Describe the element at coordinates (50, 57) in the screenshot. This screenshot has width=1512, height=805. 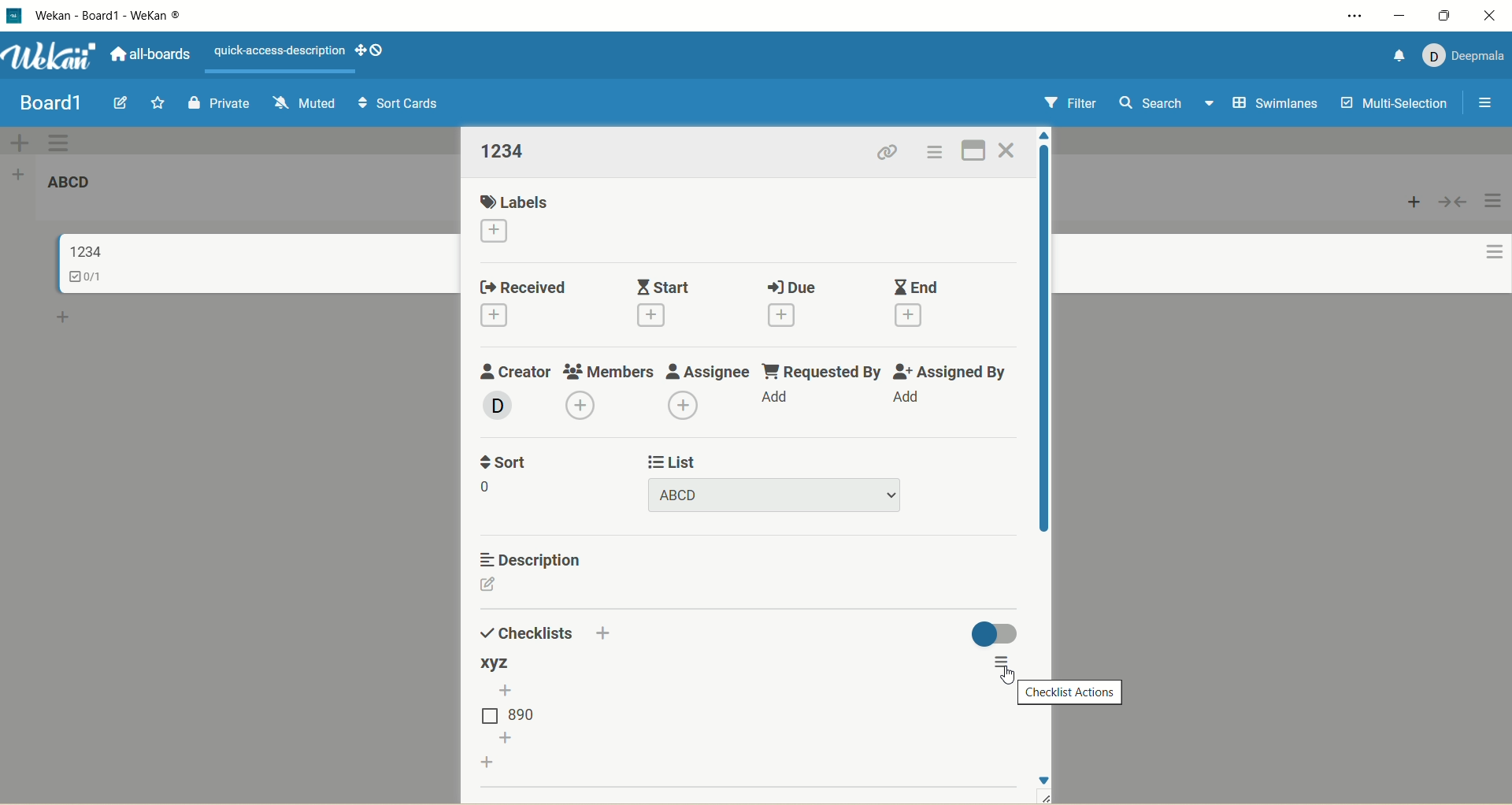
I see `wekan` at that location.